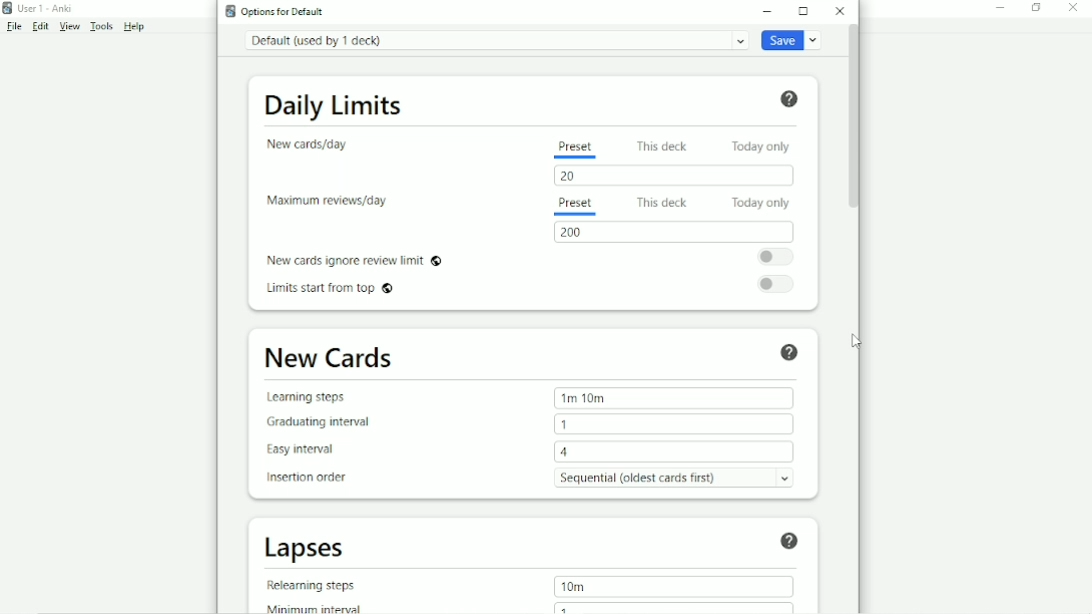 The width and height of the screenshot is (1092, 614). I want to click on Daily Limits, so click(334, 107).